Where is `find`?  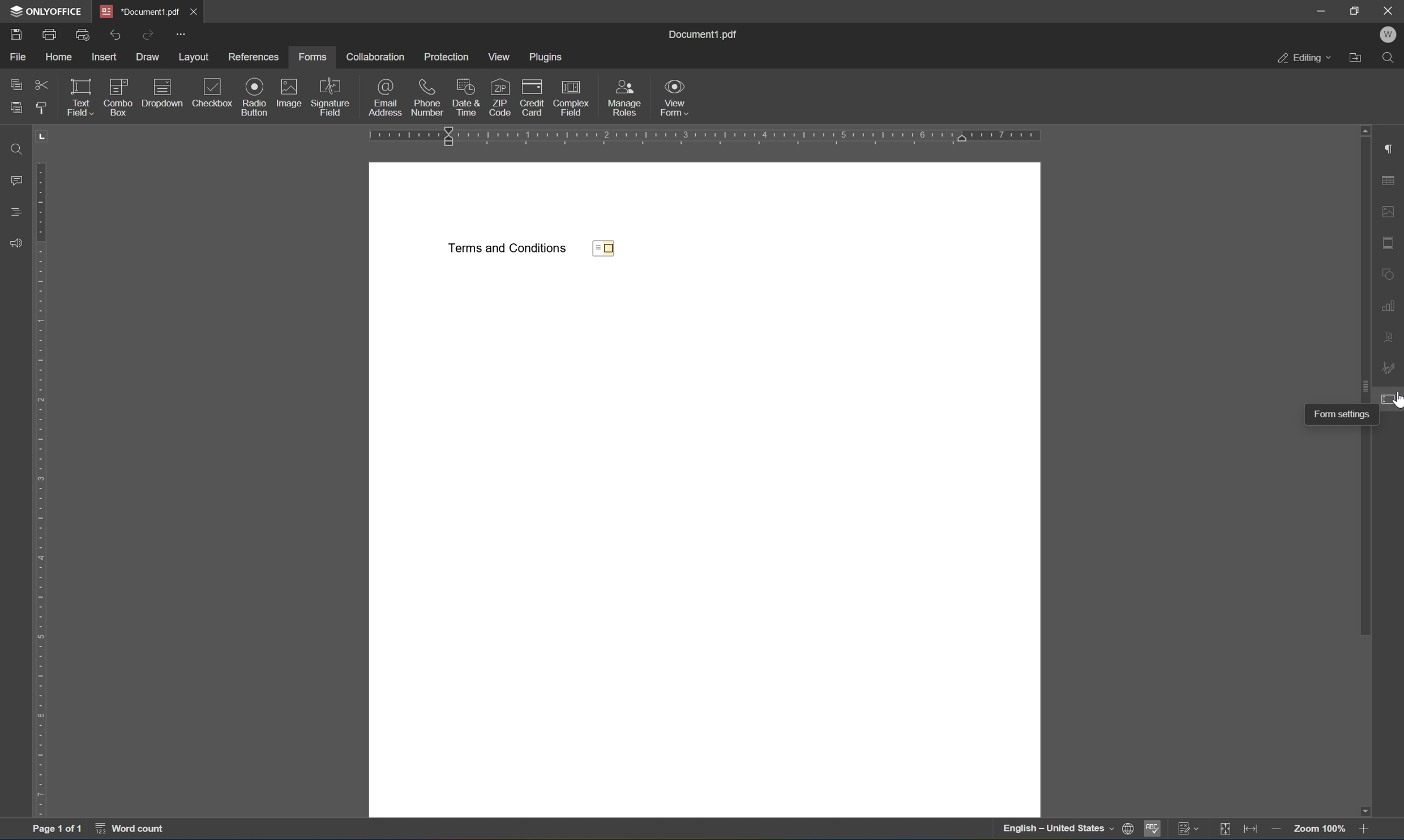
find is located at coordinates (15, 148).